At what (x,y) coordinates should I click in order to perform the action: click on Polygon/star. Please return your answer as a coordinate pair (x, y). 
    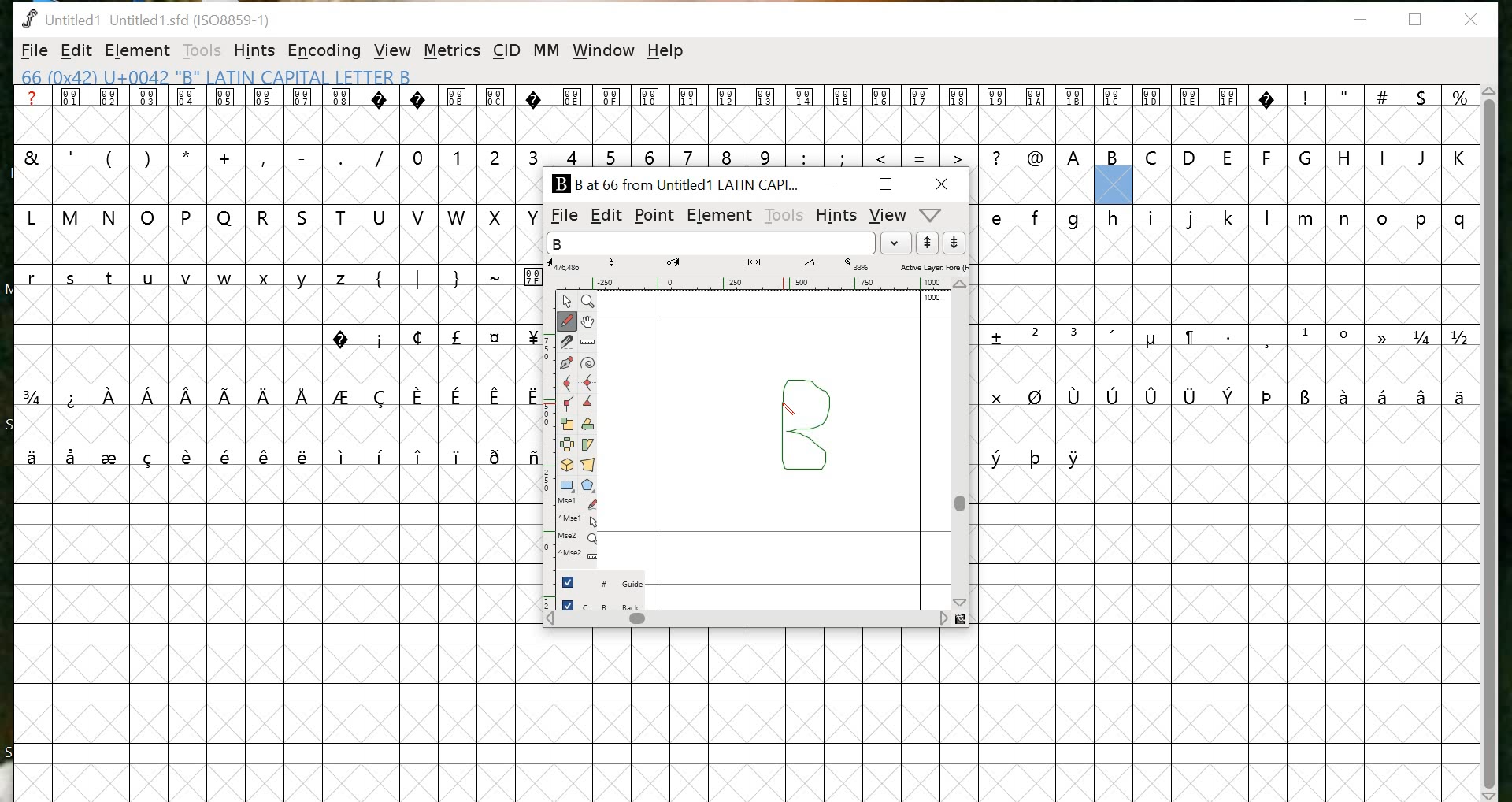
    Looking at the image, I should click on (589, 485).